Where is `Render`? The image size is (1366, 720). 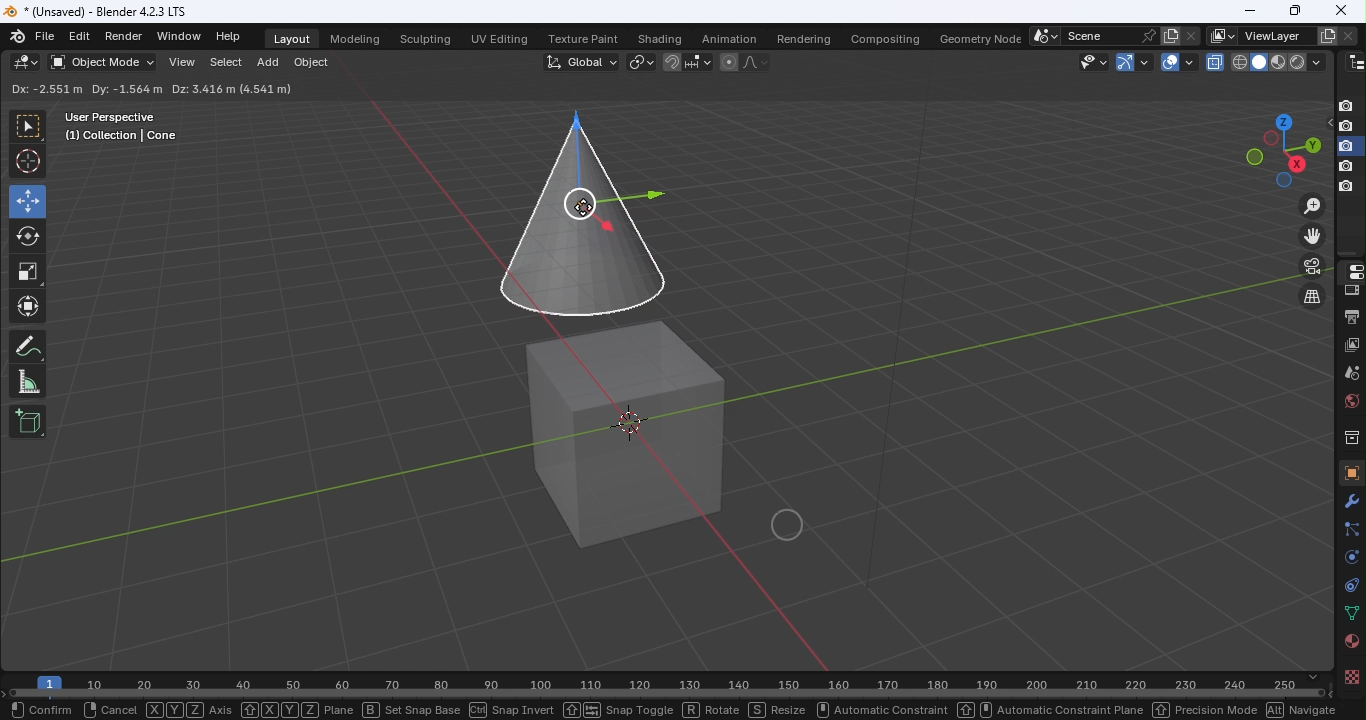
Render is located at coordinates (1350, 291).